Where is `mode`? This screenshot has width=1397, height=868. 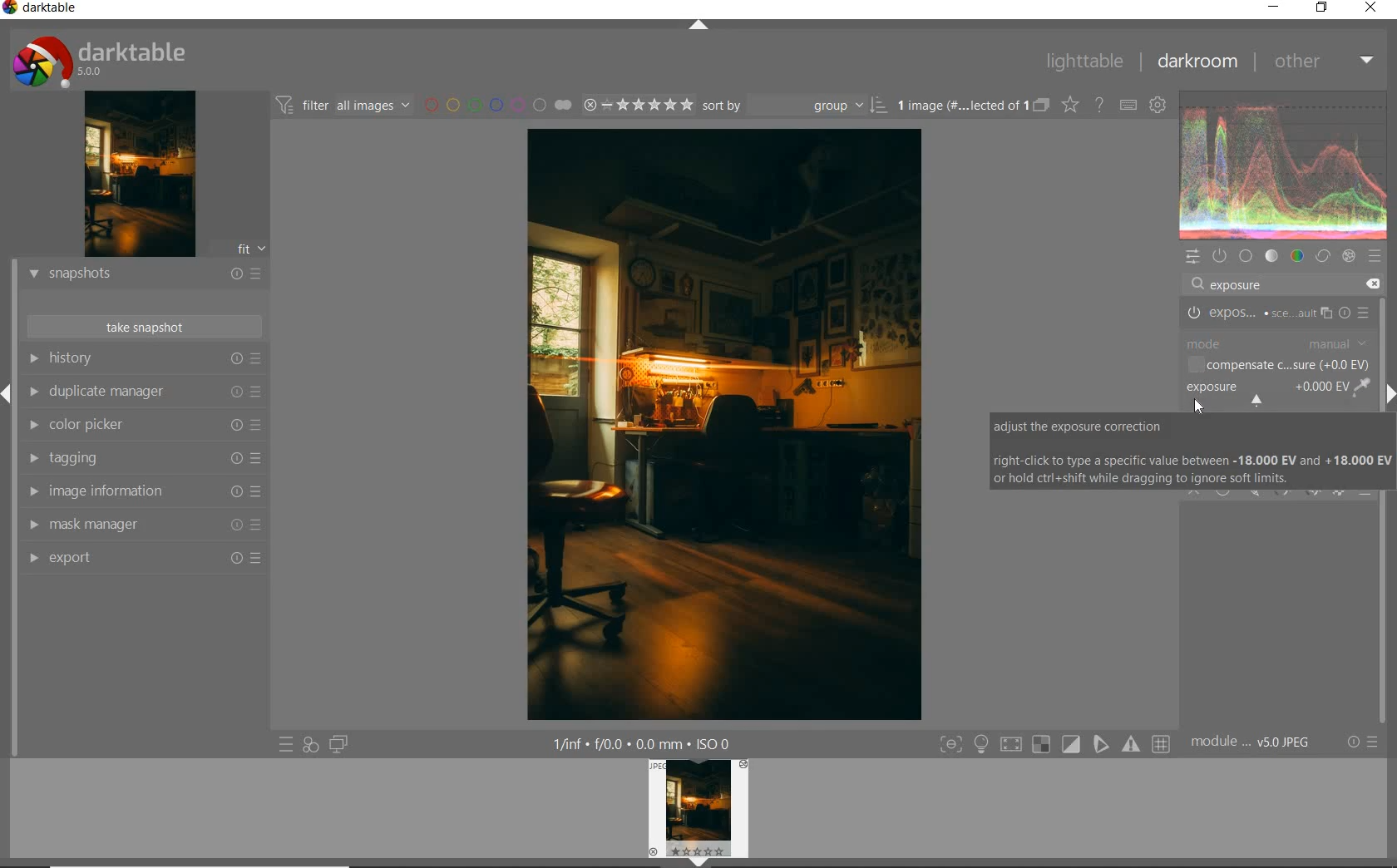 mode is located at coordinates (1277, 344).